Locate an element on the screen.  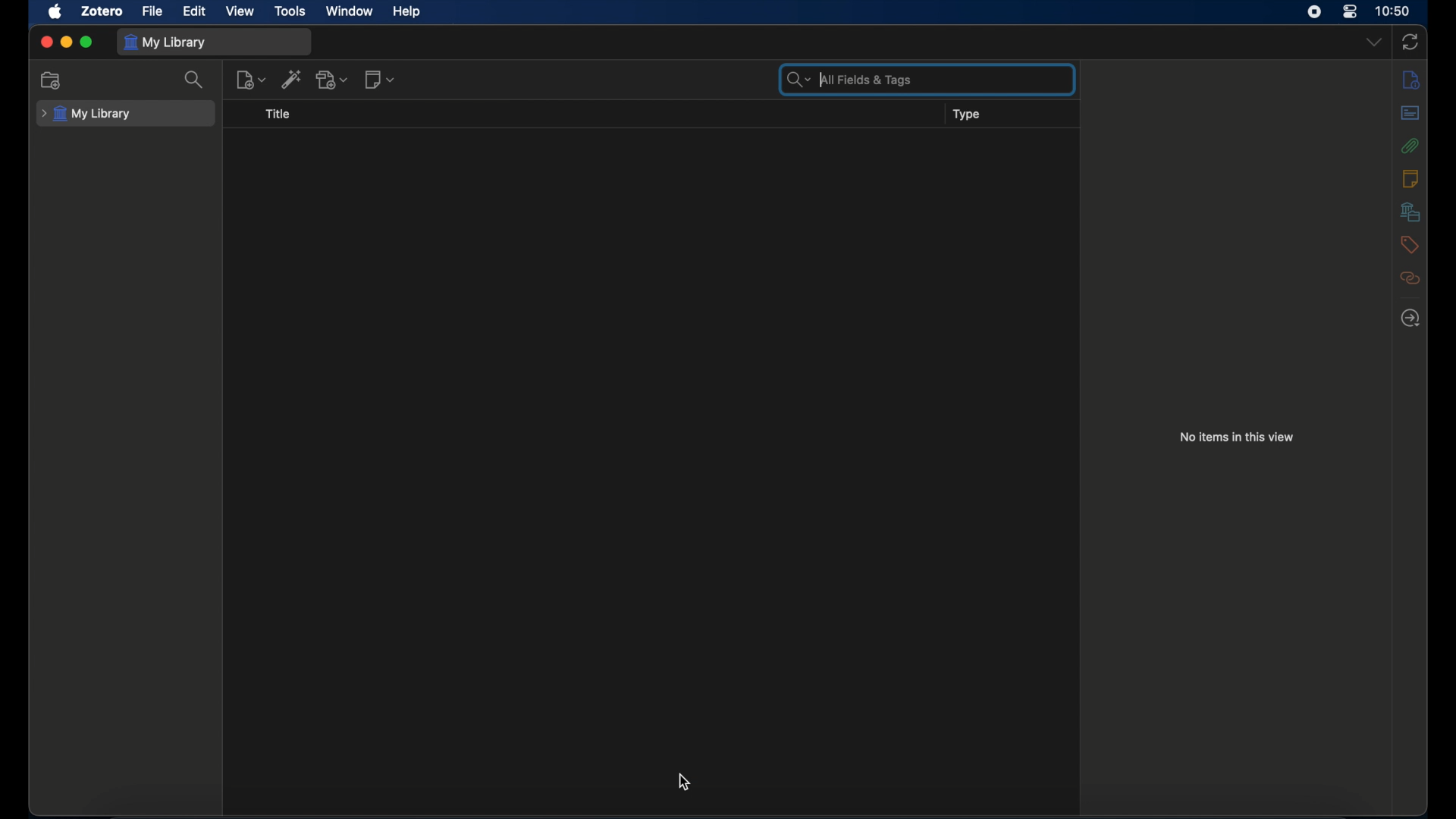
abstract is located at coordinates (1411, 112).